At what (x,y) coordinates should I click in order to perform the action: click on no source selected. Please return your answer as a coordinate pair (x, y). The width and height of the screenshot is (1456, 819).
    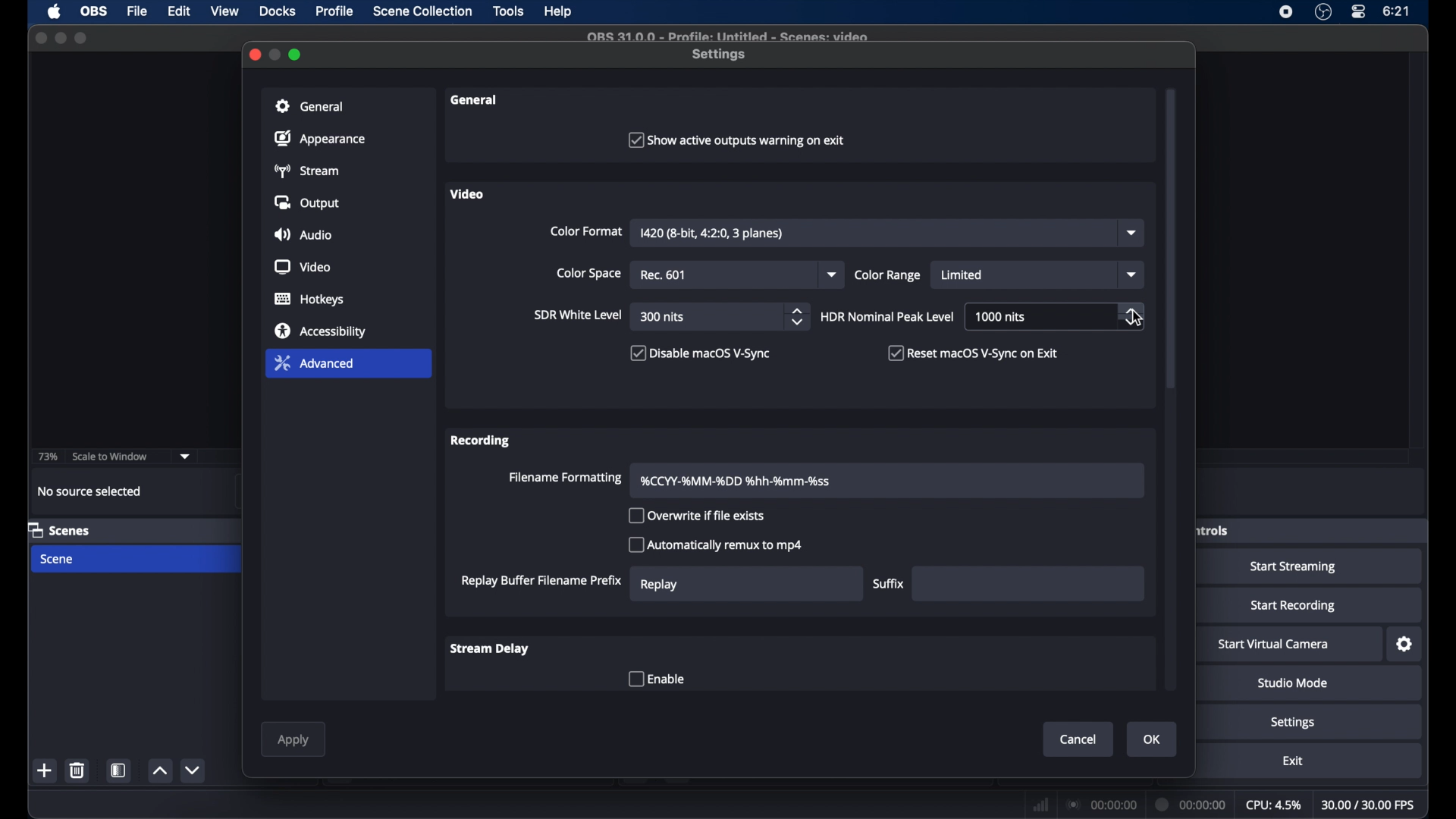
    Looking at the image, I should click on (90, 491).